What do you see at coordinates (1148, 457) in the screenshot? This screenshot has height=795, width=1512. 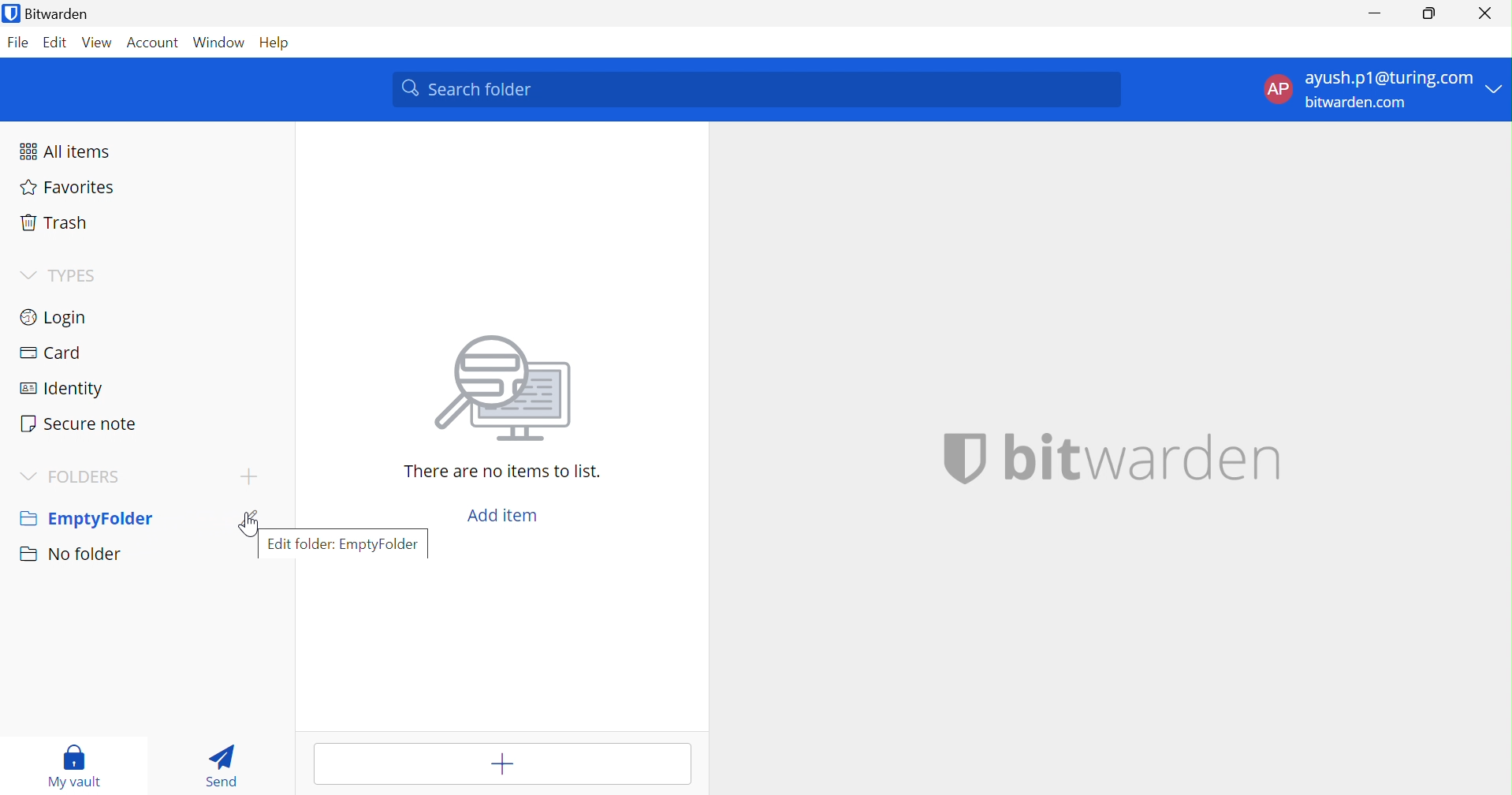 I see `bitwarden` at bounding box center [1148, 457].